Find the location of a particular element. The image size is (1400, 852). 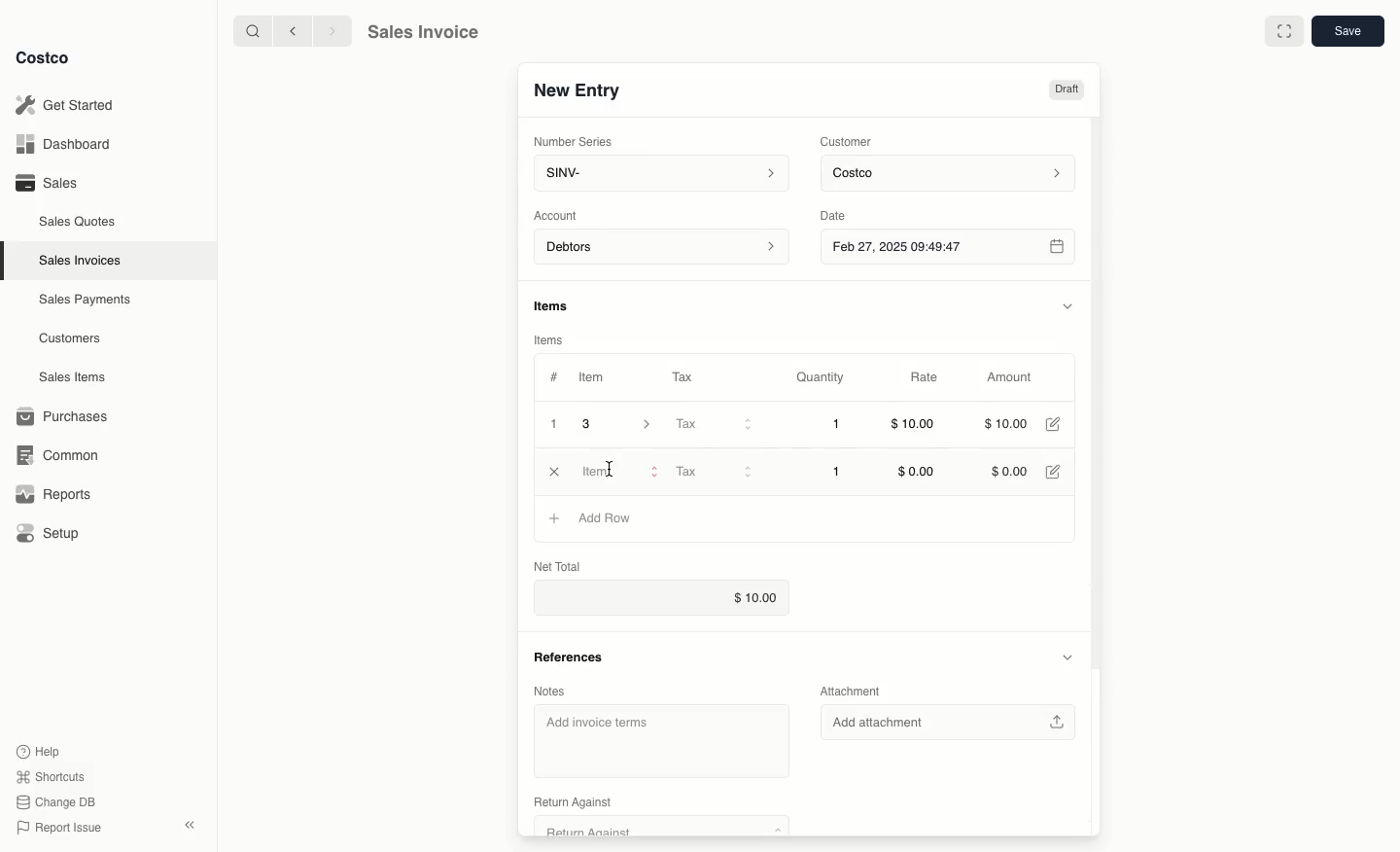

Notes is located at coordinates (557, 691).